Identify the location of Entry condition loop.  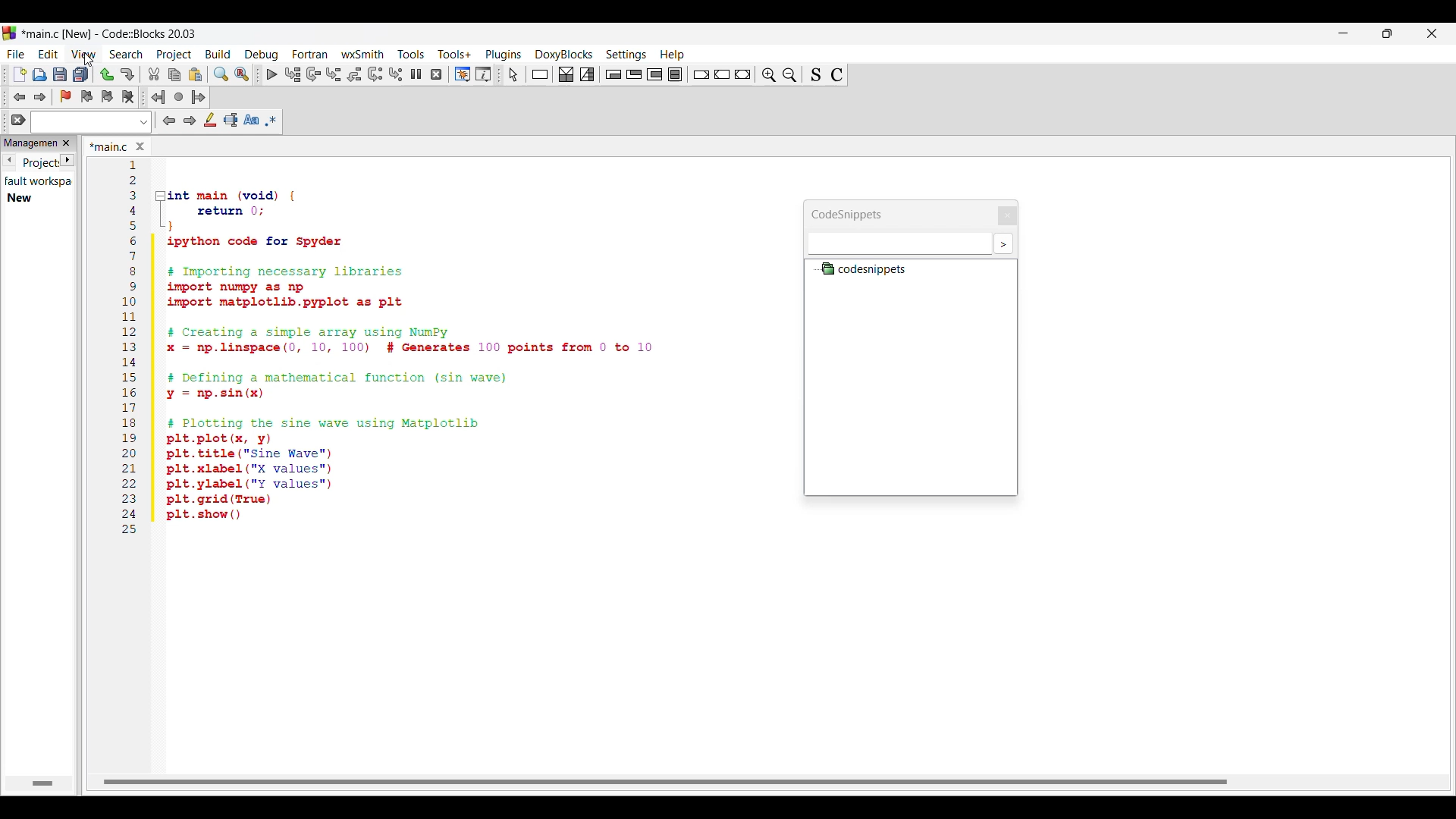
(613, 74).